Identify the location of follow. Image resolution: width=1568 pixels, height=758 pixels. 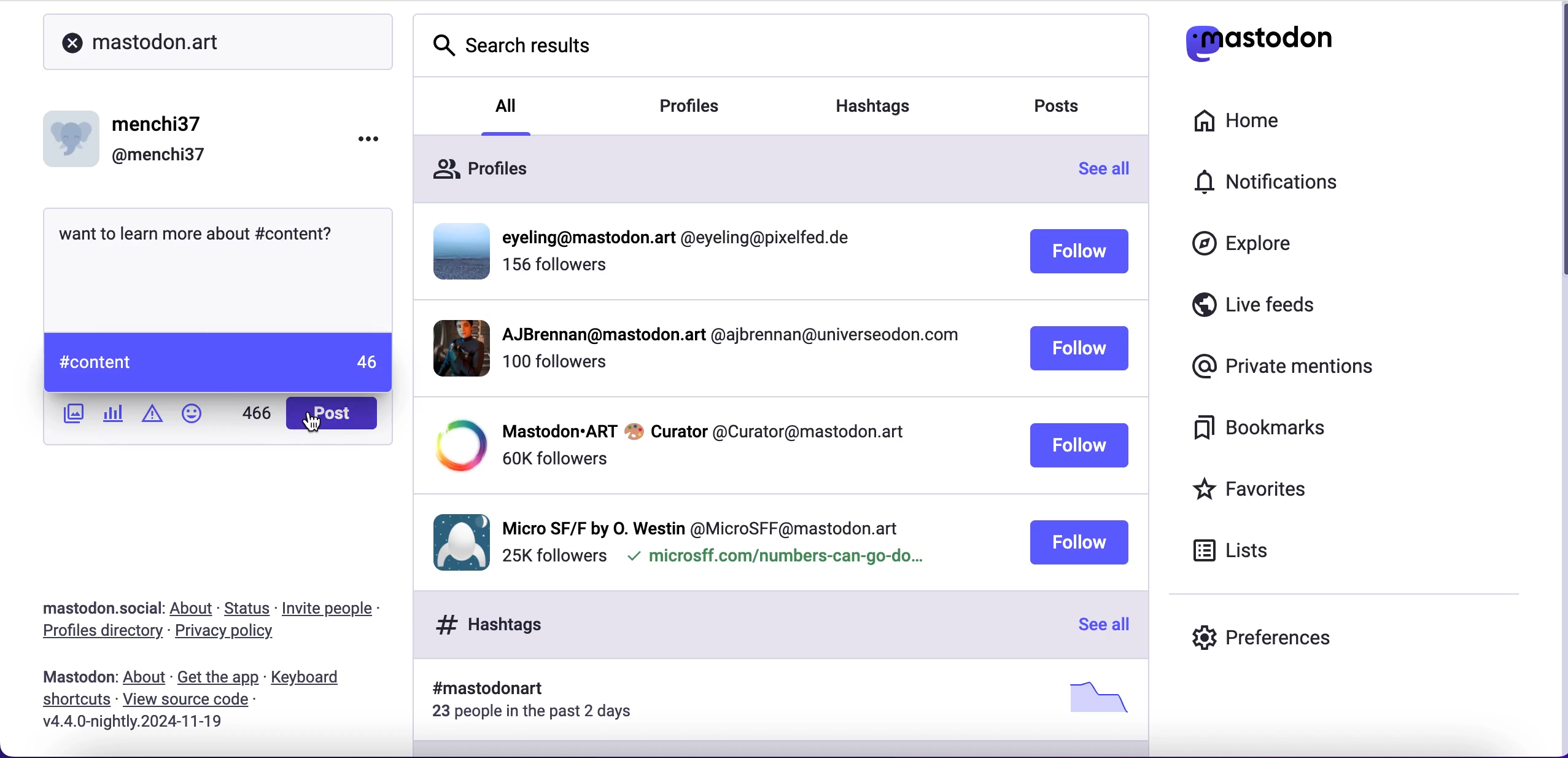
(1079, 446).